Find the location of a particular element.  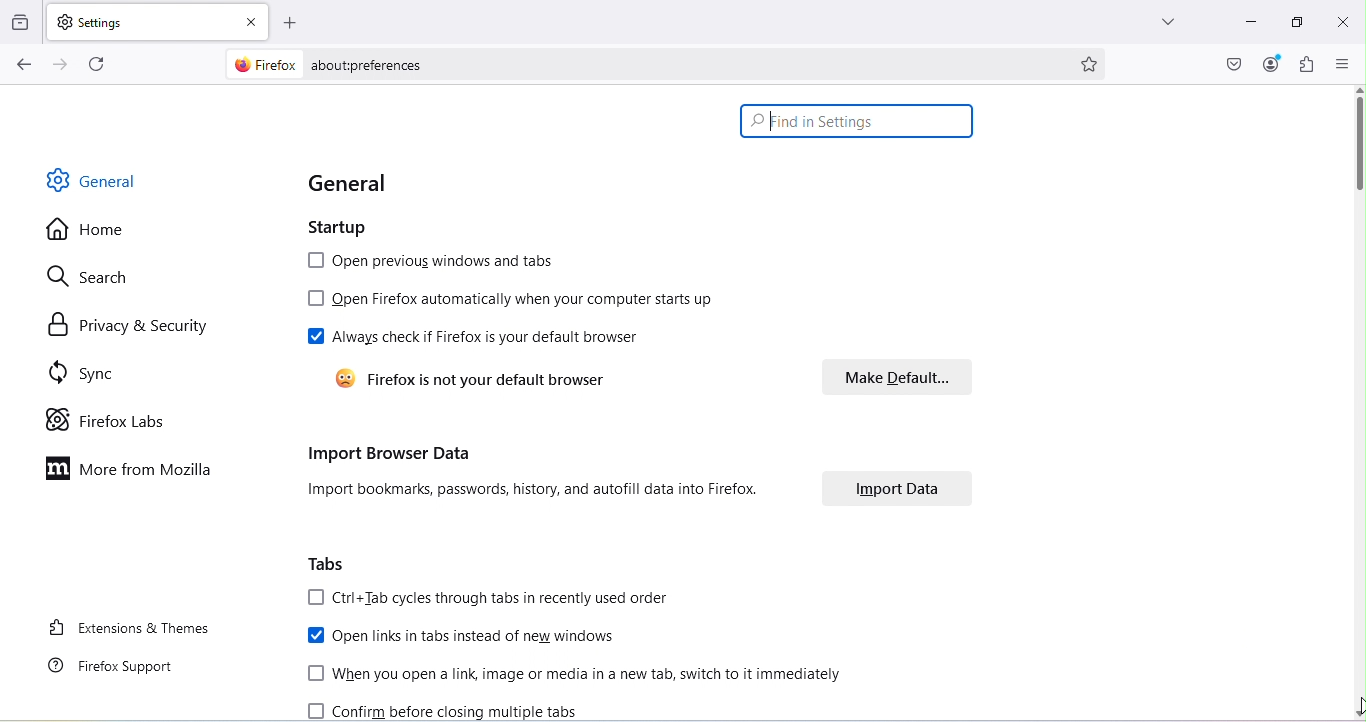

Open previous windows and tabs is located at coordinates (433, 262).